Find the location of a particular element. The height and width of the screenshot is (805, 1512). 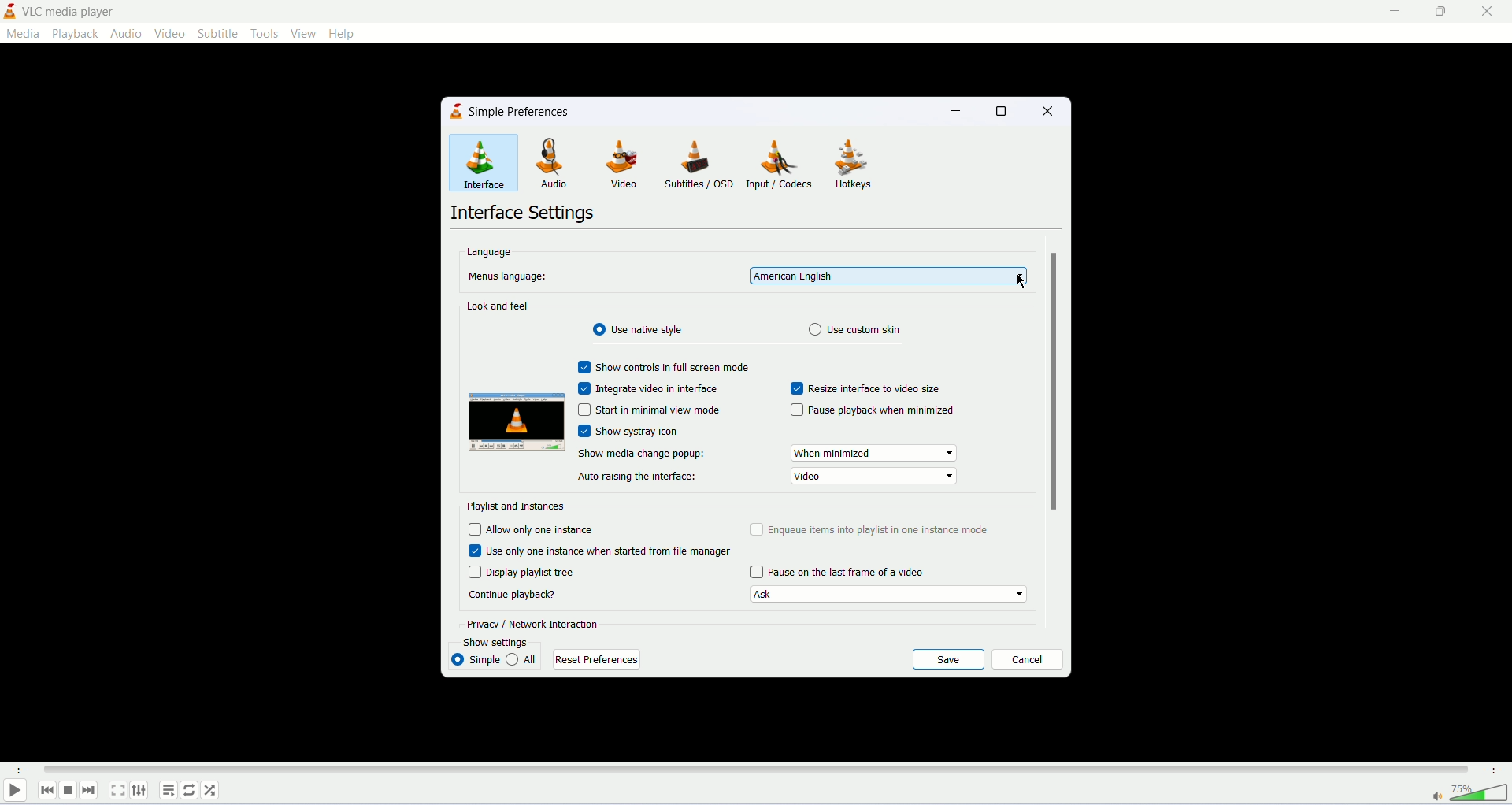

fullscreen is located at coordinates (117, 790).